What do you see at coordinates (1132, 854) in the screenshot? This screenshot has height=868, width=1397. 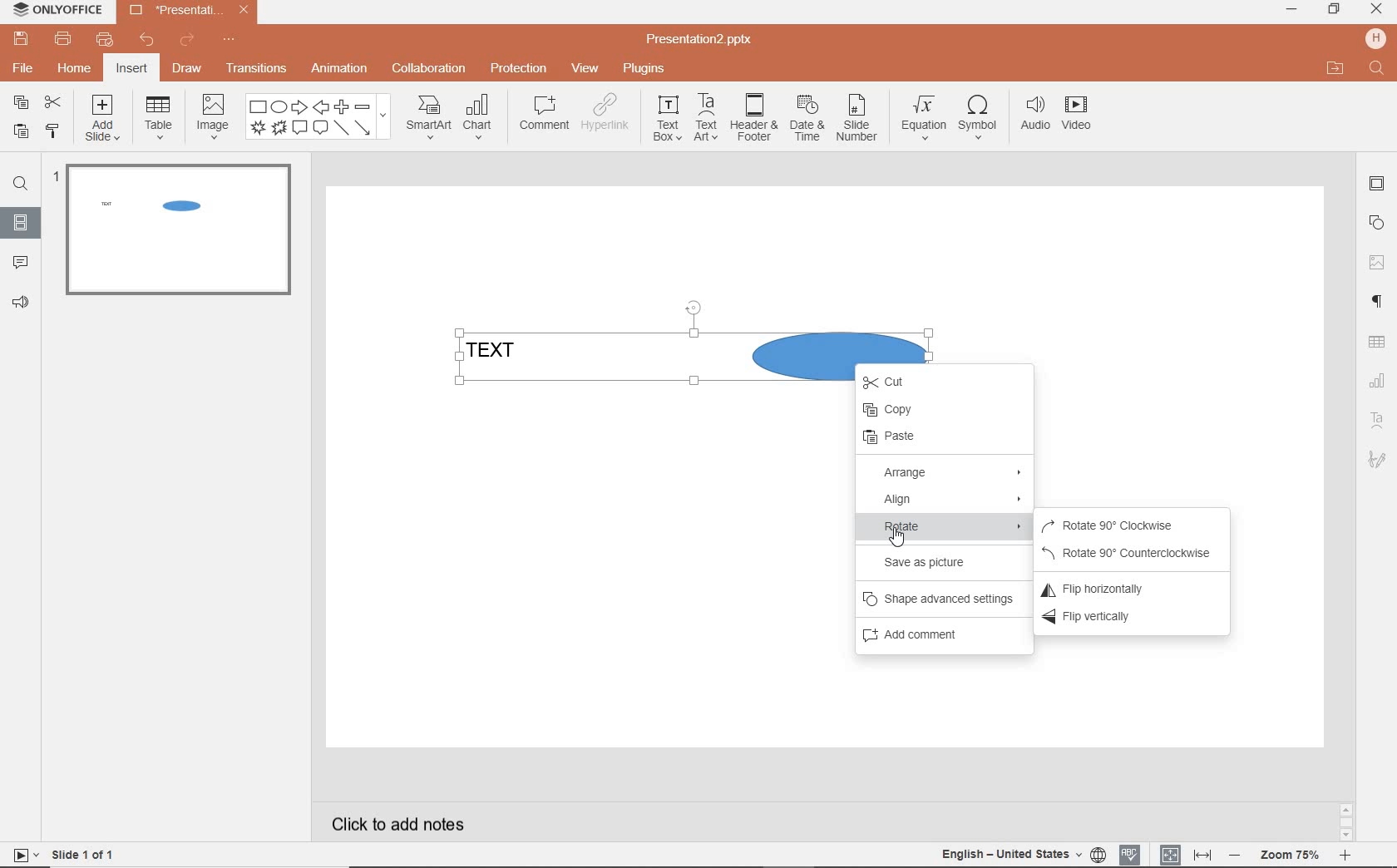 I see `SPELL CHECKING` at bounding box center [1132, 854].